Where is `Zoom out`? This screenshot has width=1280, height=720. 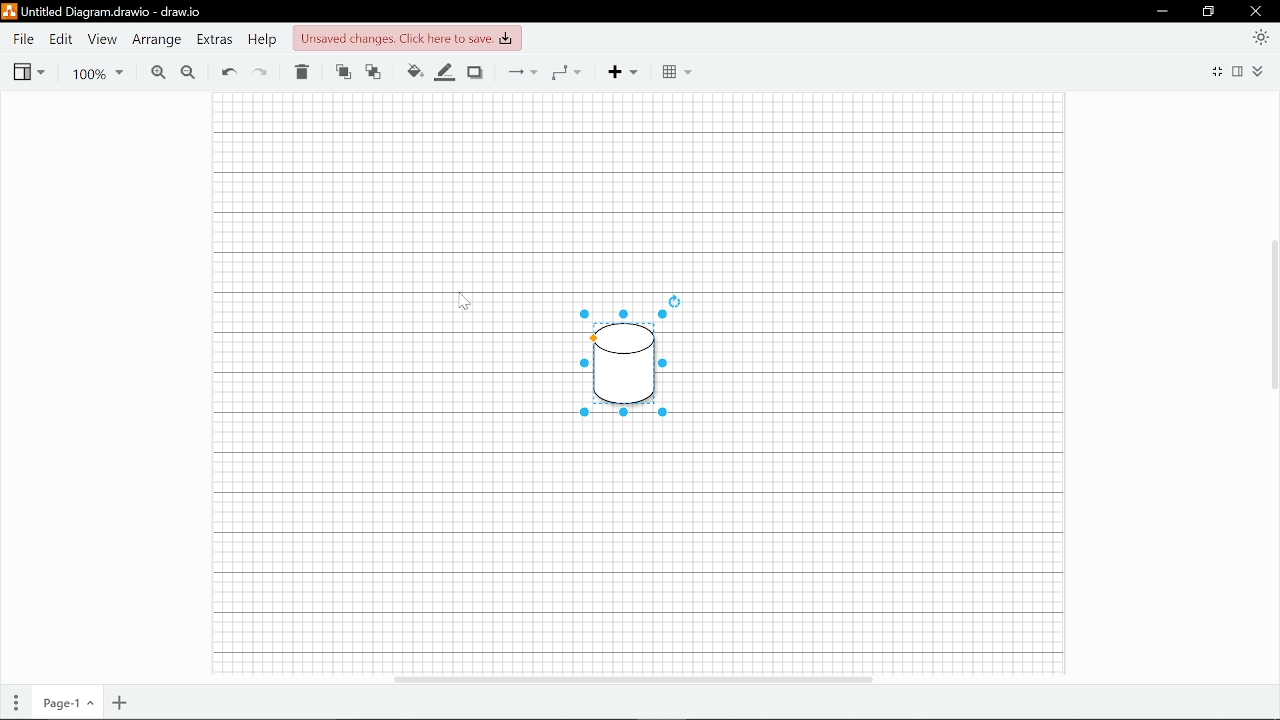
Zoom out is located at coordinates (189, 72).